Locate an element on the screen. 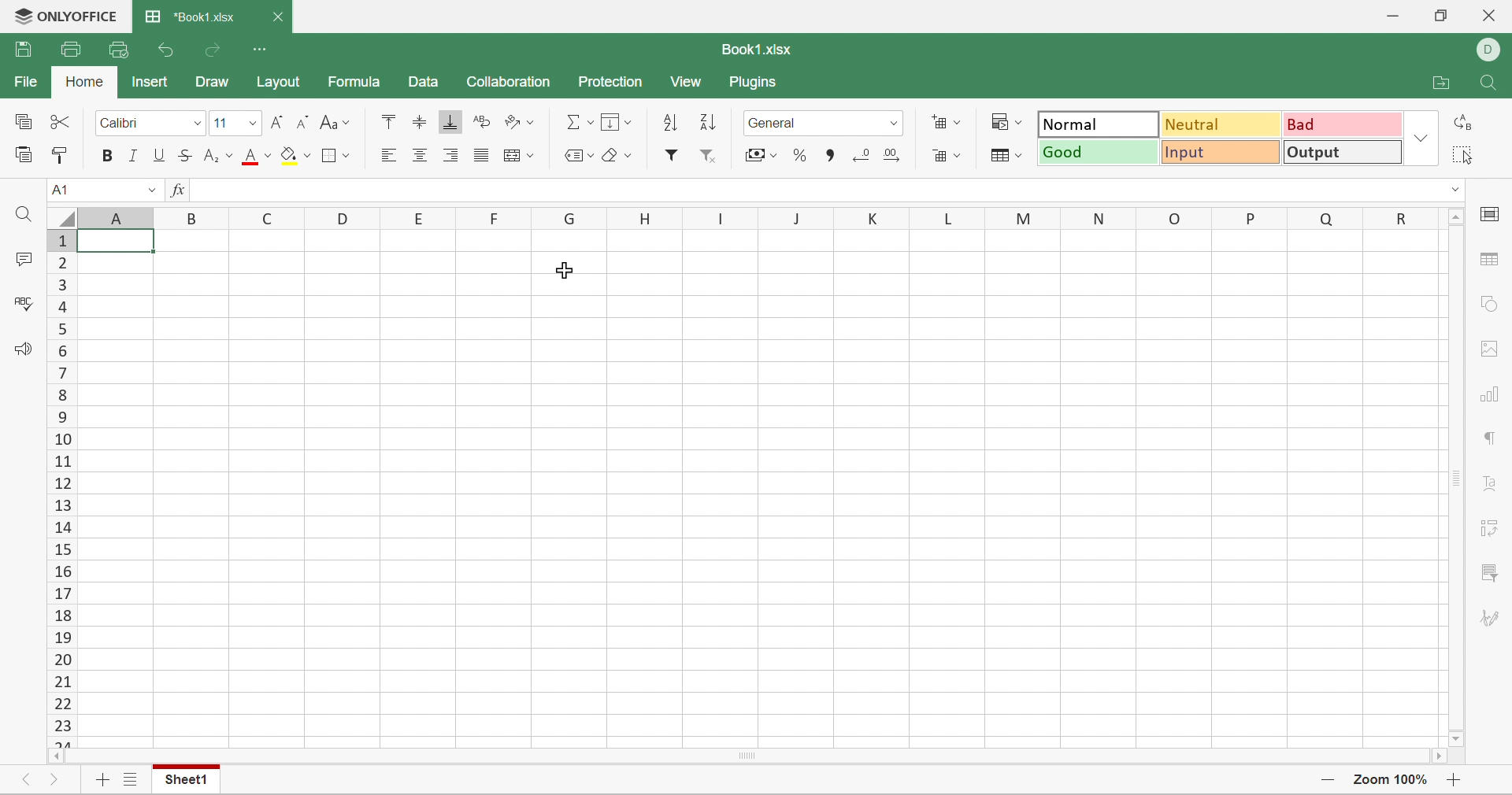 The height and width of the screenshot is (795, 1512). Calibri is located at coordinates (134, 124).